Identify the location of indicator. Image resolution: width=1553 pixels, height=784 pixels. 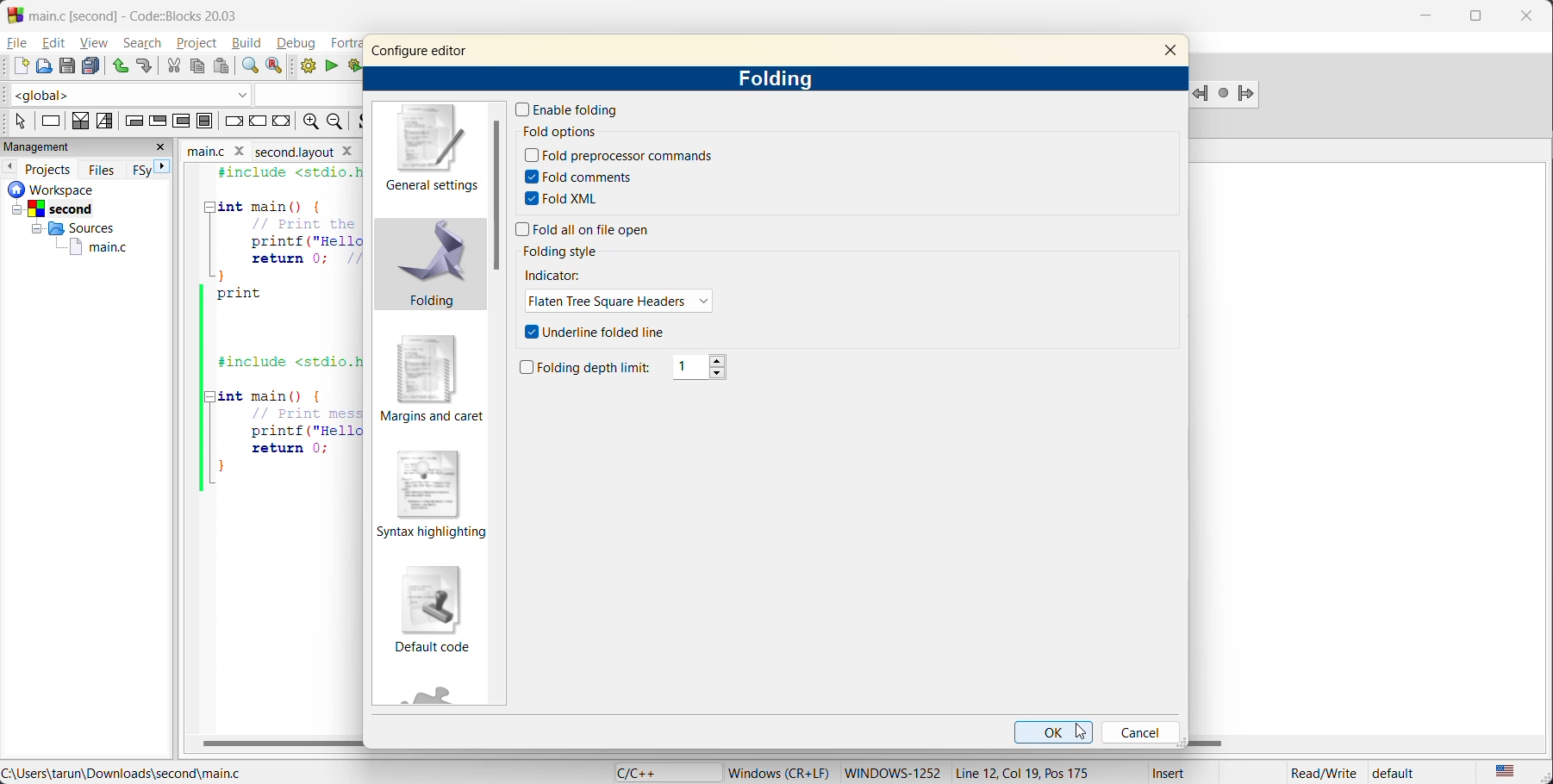
(562, 275).